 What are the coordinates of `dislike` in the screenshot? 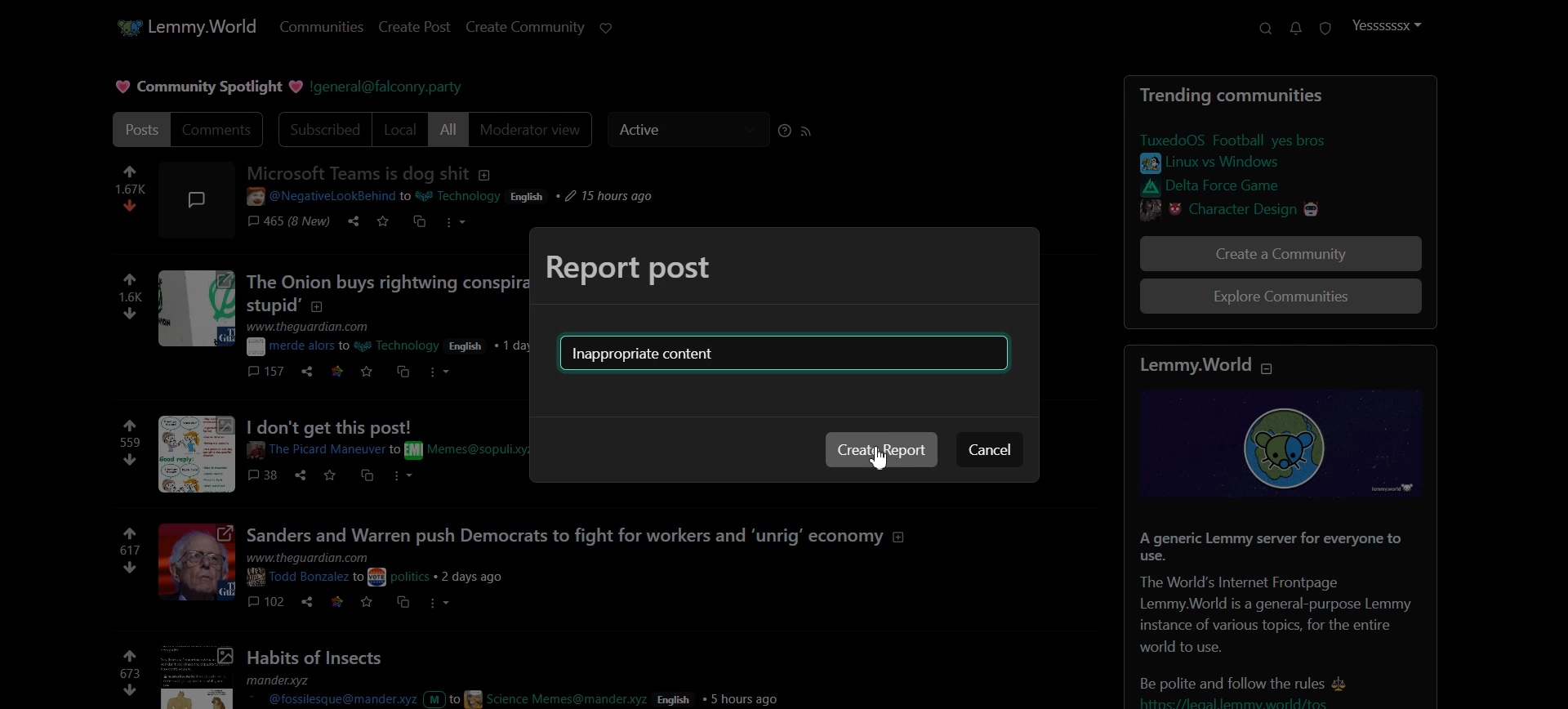 It's located at (131, 569).